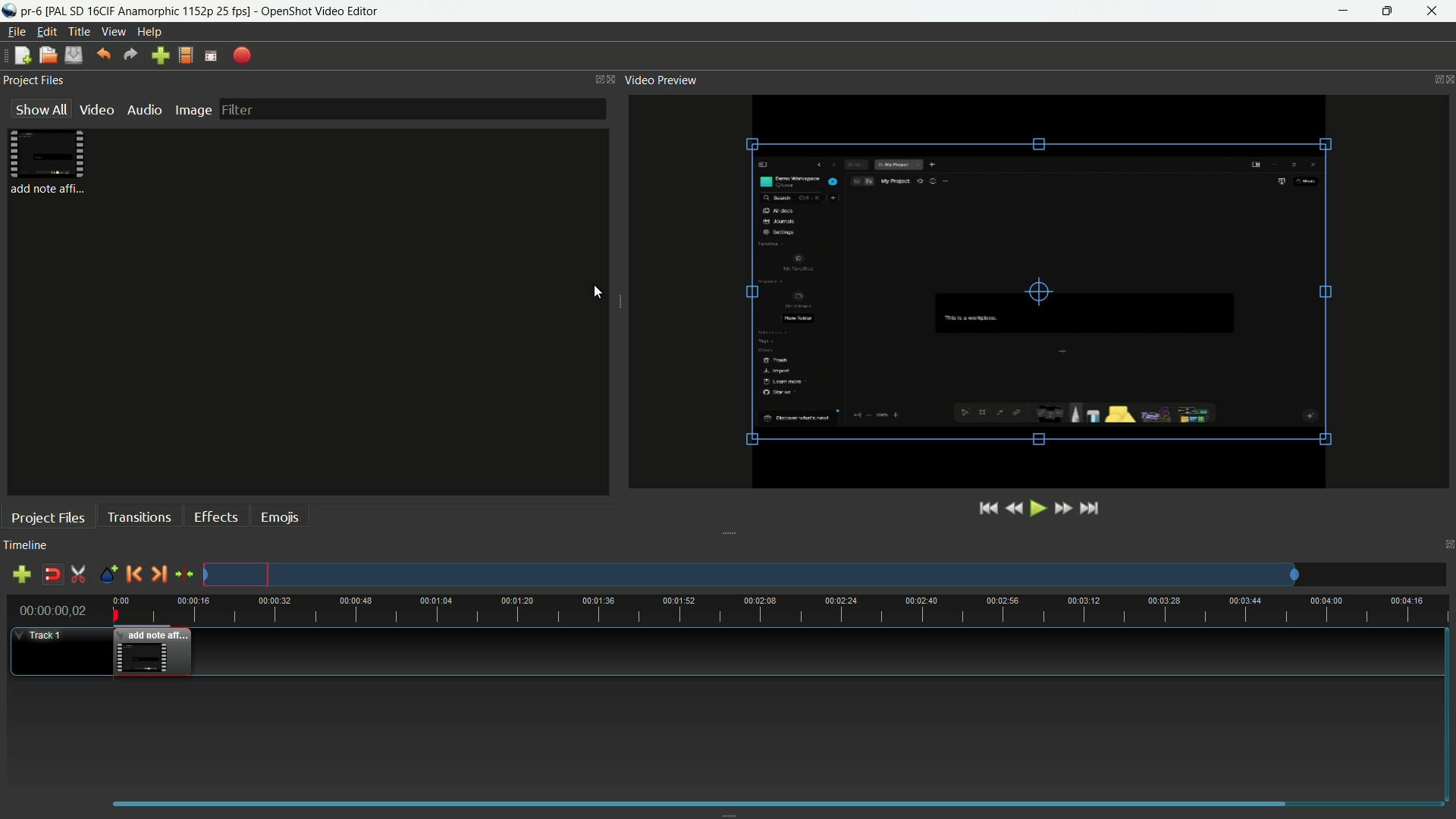 Image resolution: width=1456 pixels, height=819 pixels. What do you see at coordinates (73, 55) in the screenshot?
I see `save project` at bounding box center [73, 55].